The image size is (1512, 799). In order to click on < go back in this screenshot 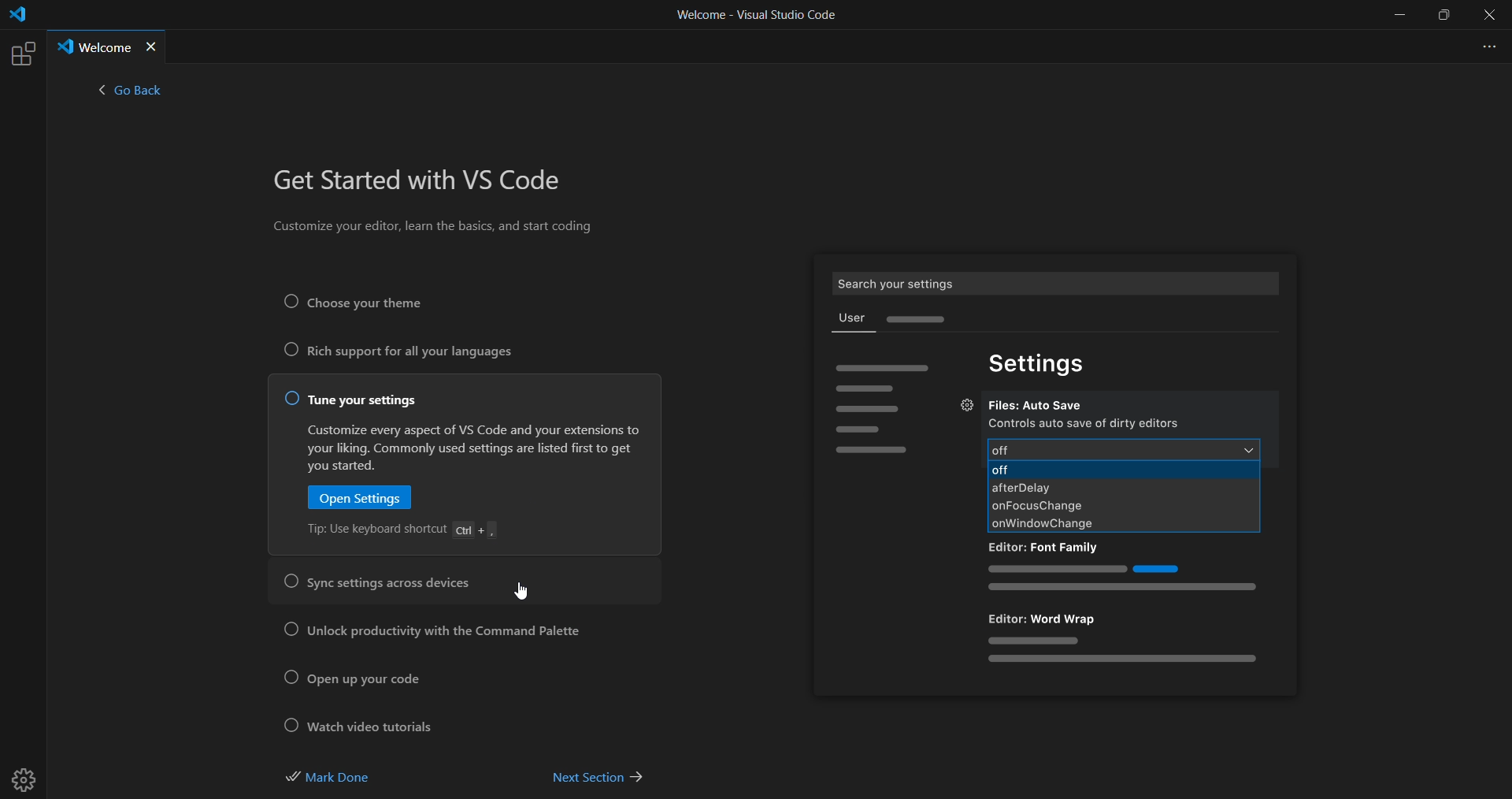, I will do `click(130, 94)`.